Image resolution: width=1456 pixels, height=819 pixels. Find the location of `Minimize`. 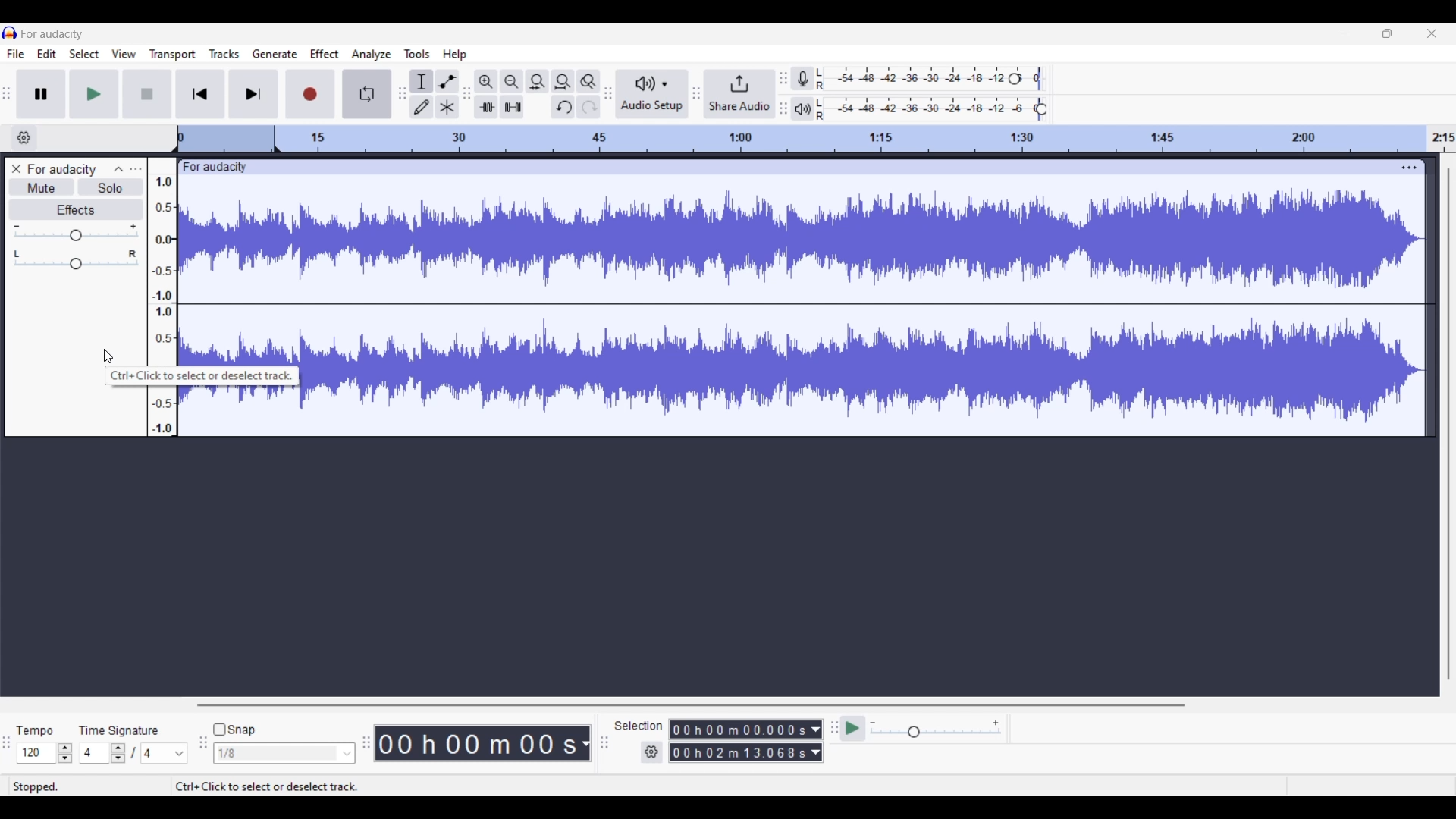

Minimize is located at coordinates (1342, 33).